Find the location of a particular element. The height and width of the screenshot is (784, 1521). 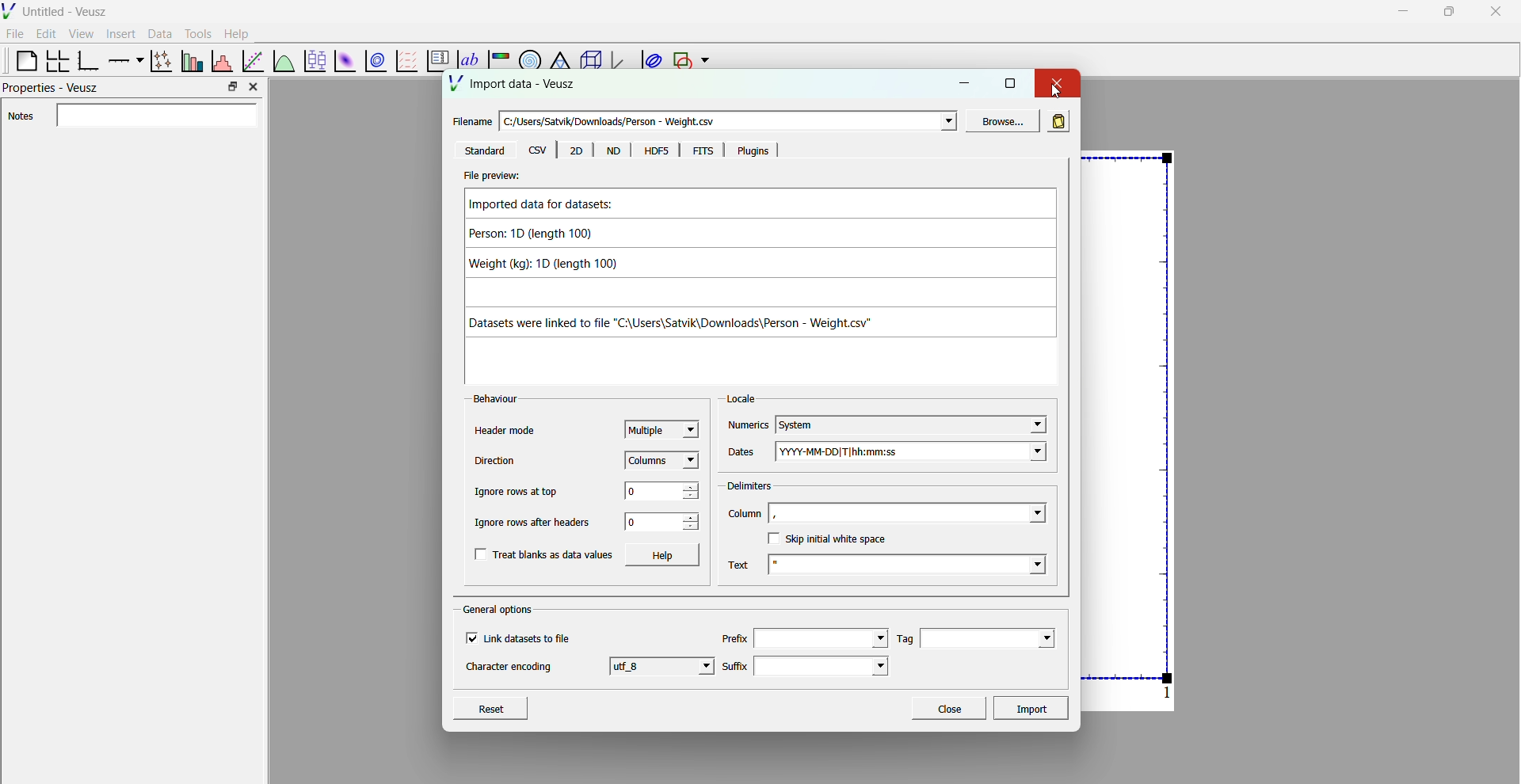

Locale is located at coordinates (744, 394).